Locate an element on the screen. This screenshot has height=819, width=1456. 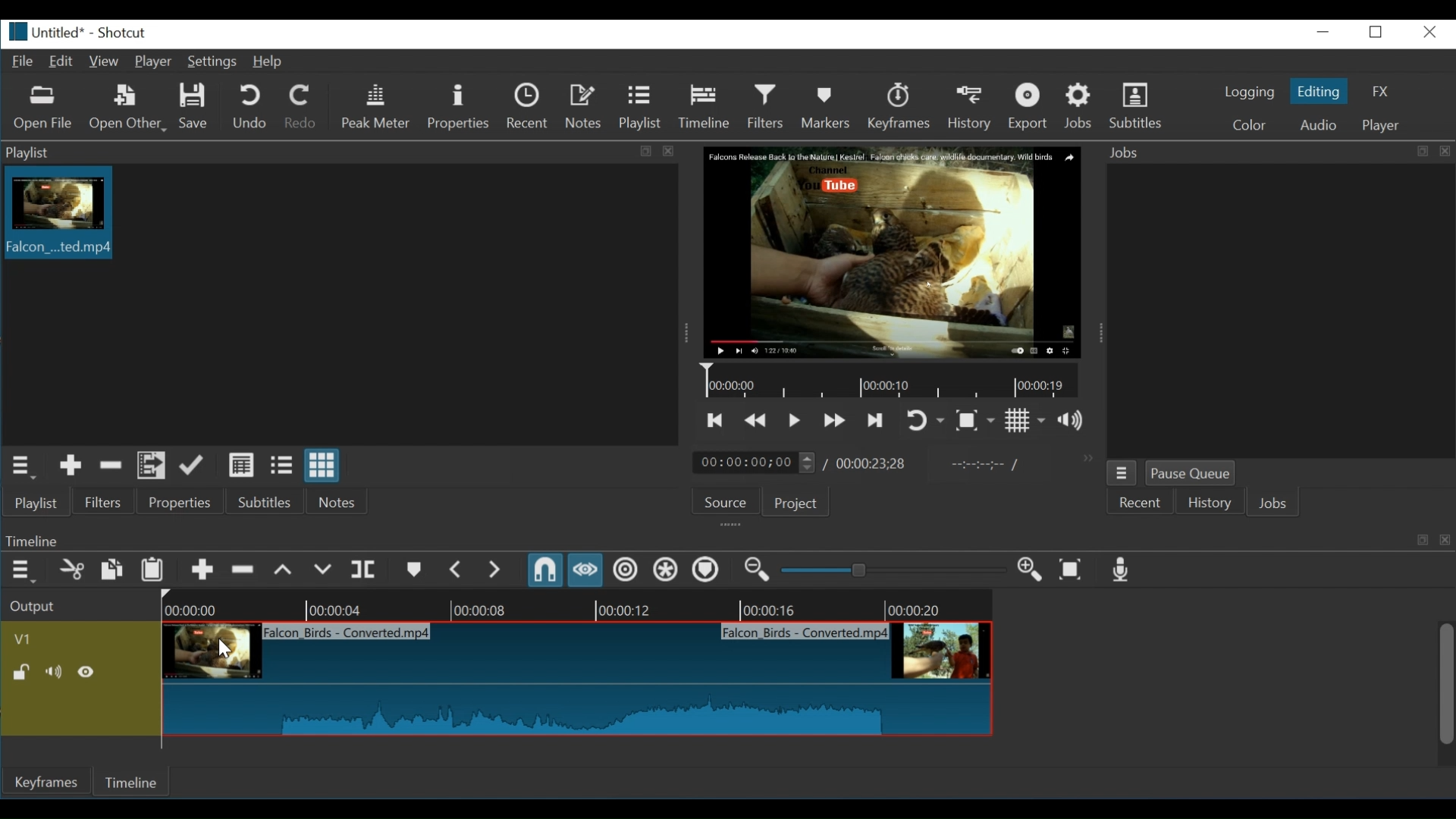
Peak Meter is located at coordinates (378, 106).